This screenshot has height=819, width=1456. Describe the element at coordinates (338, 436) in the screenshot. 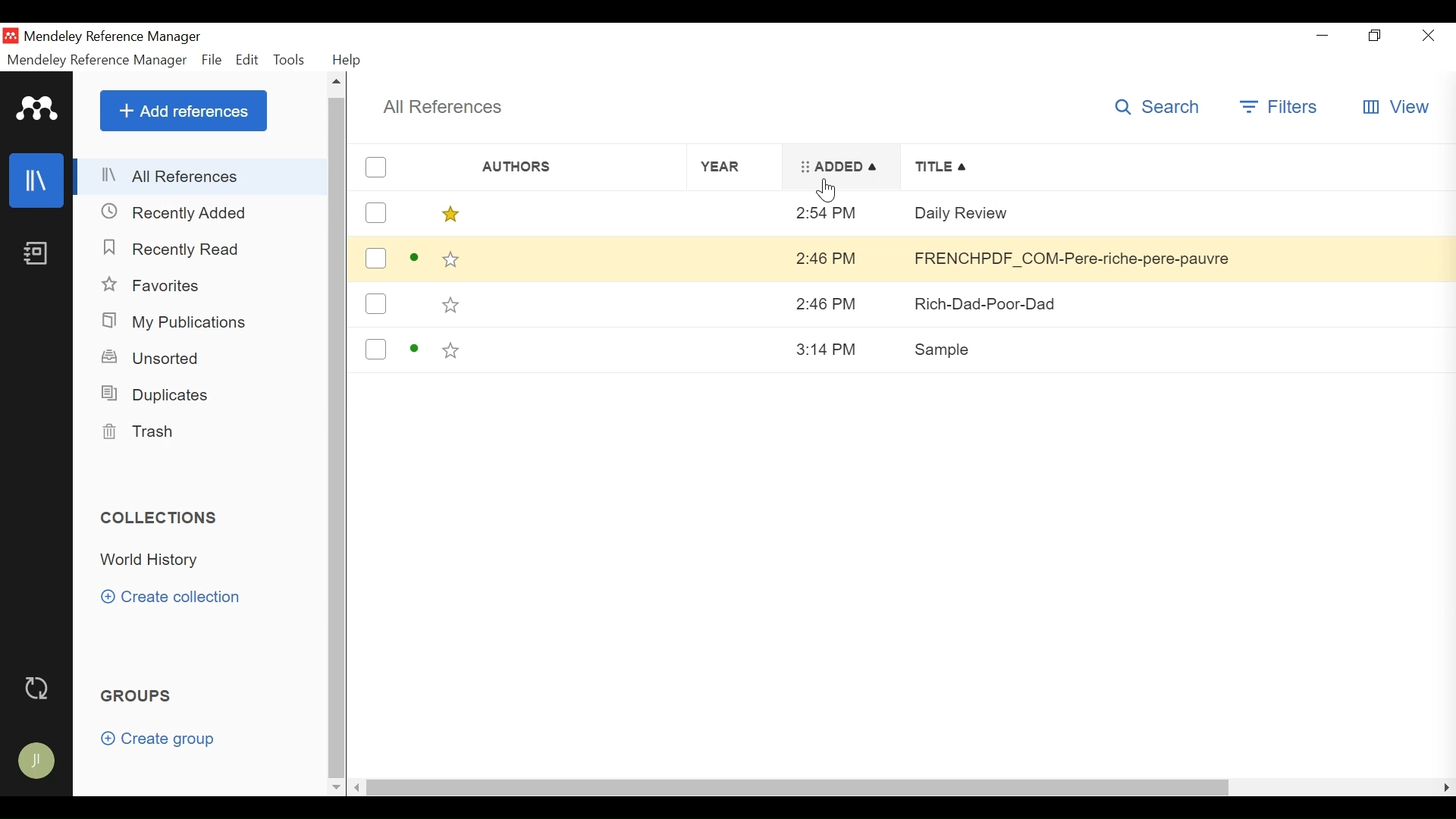

I see `Vertical Scroll bar` at that location.